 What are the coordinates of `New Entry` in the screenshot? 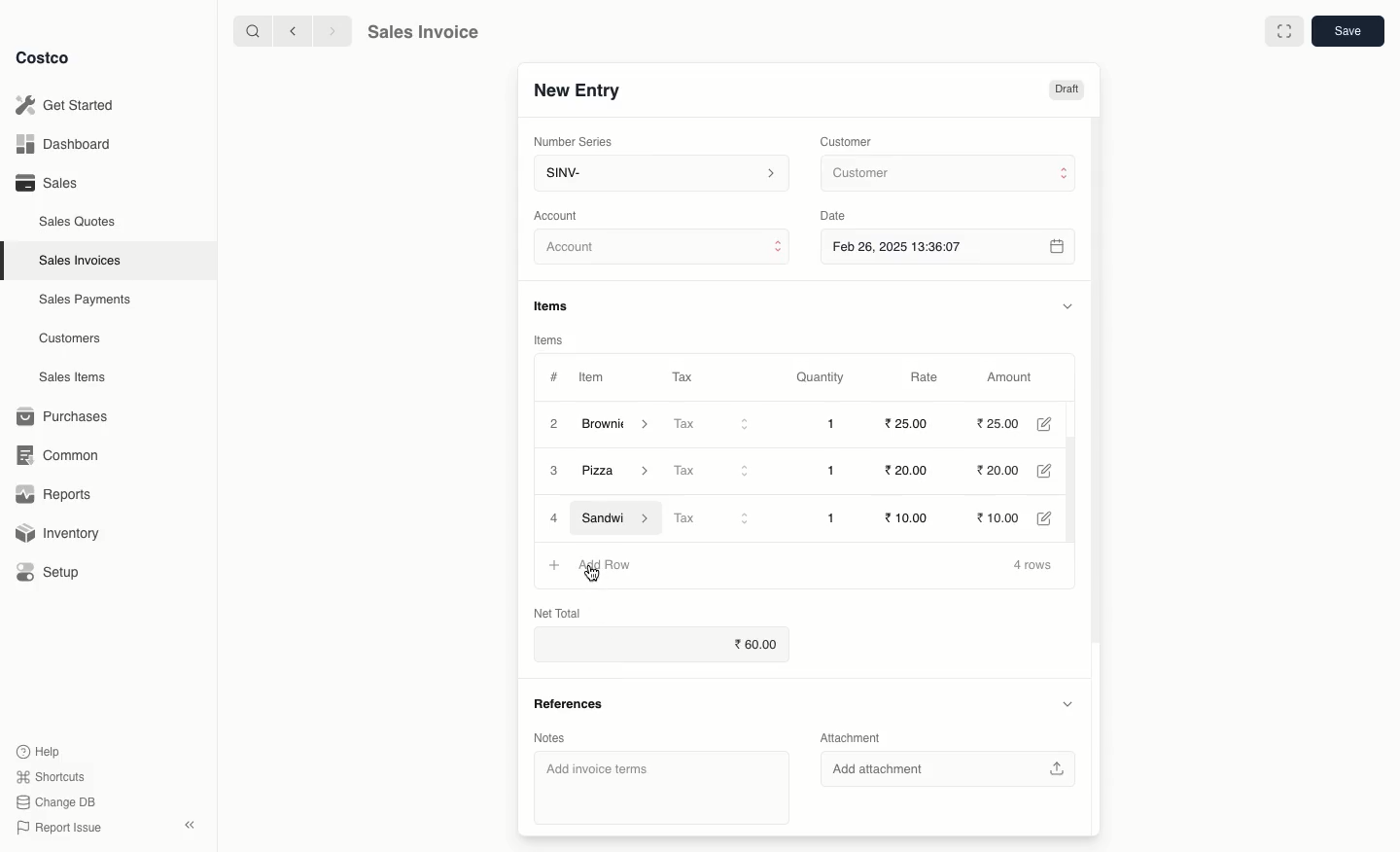 It's located at (576, 89).